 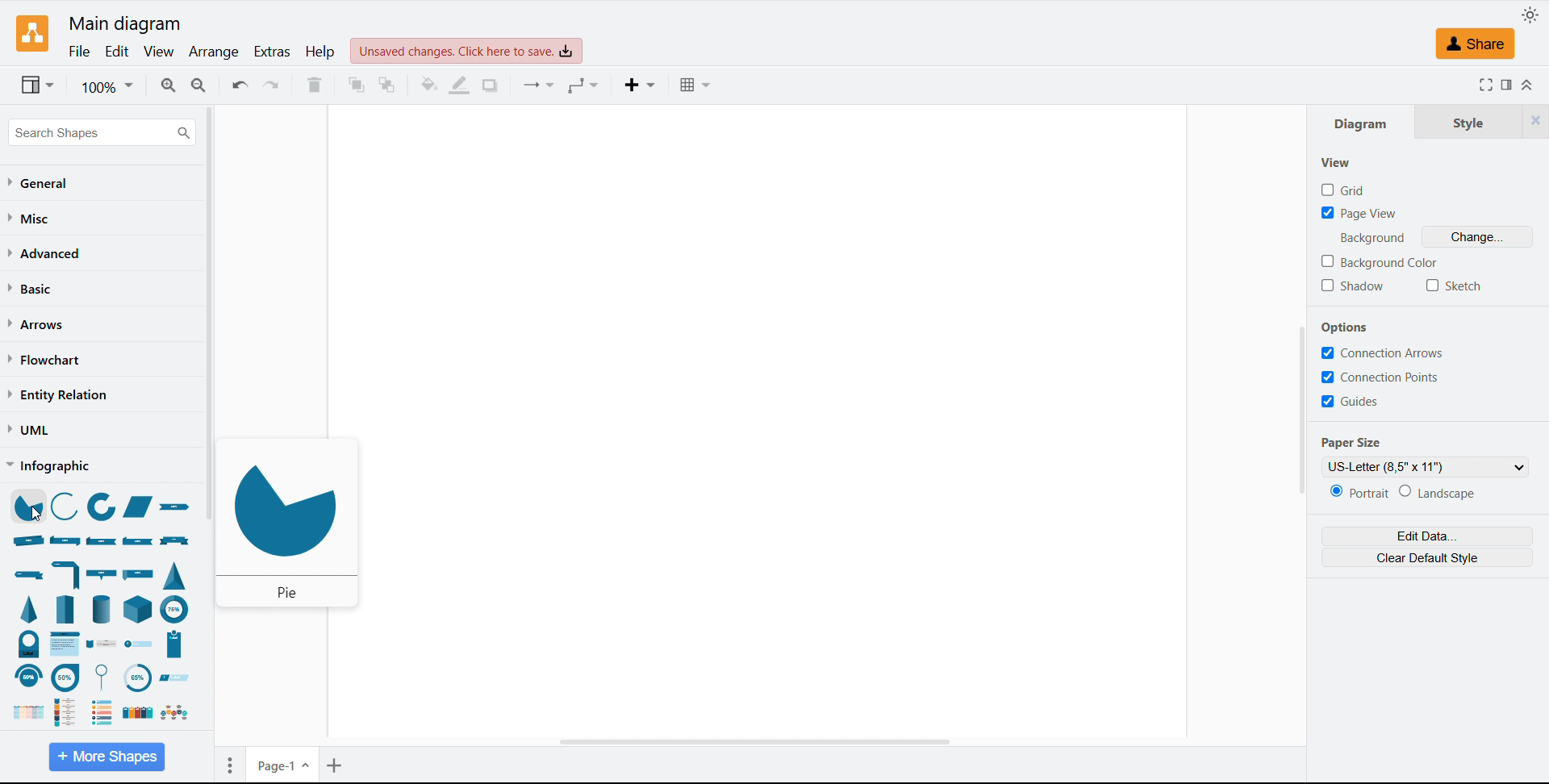 I want to click on Insert , so click(x=642, y=84).